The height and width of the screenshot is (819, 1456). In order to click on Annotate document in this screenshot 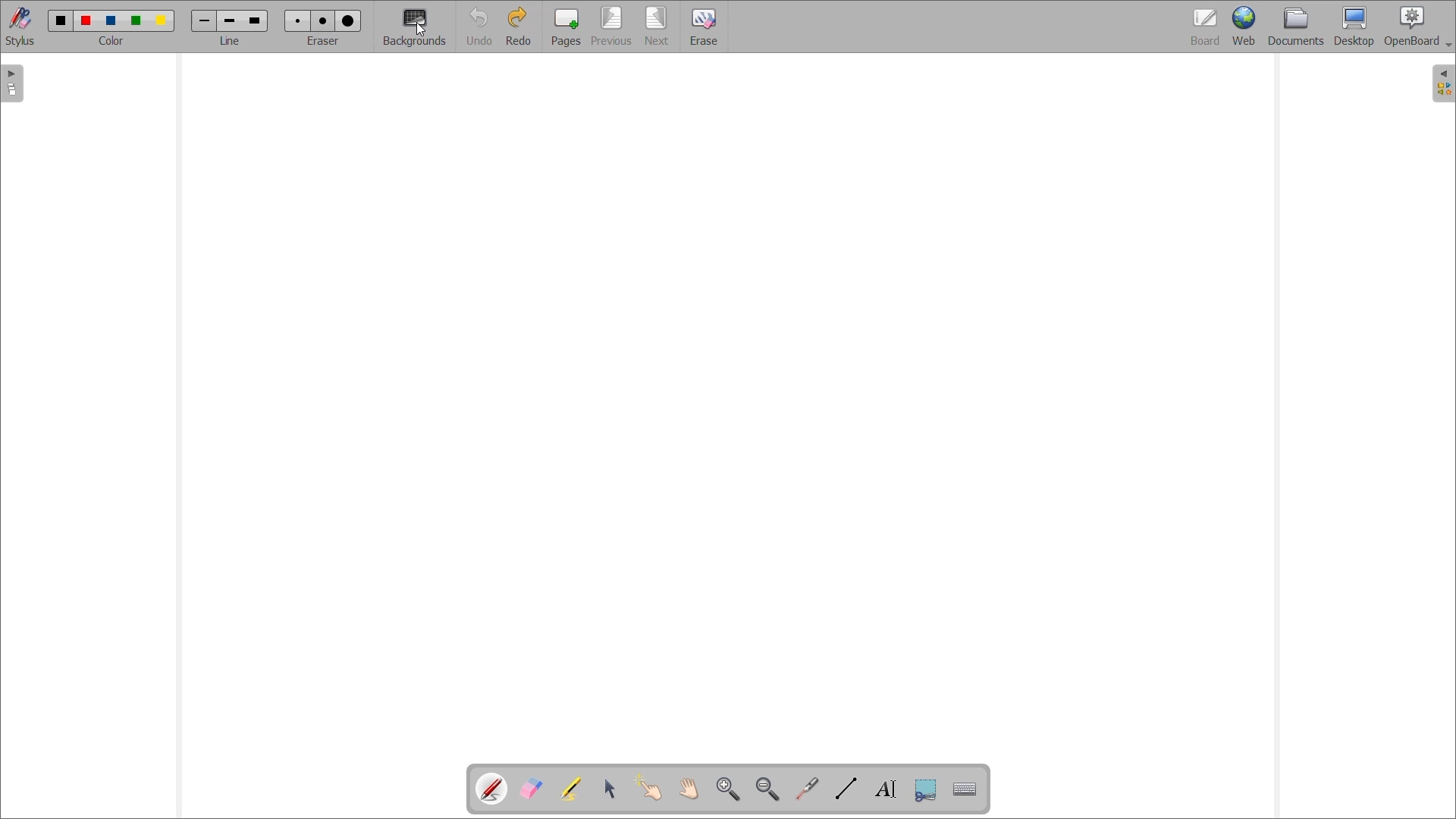, I will do `click(492, 789)`.